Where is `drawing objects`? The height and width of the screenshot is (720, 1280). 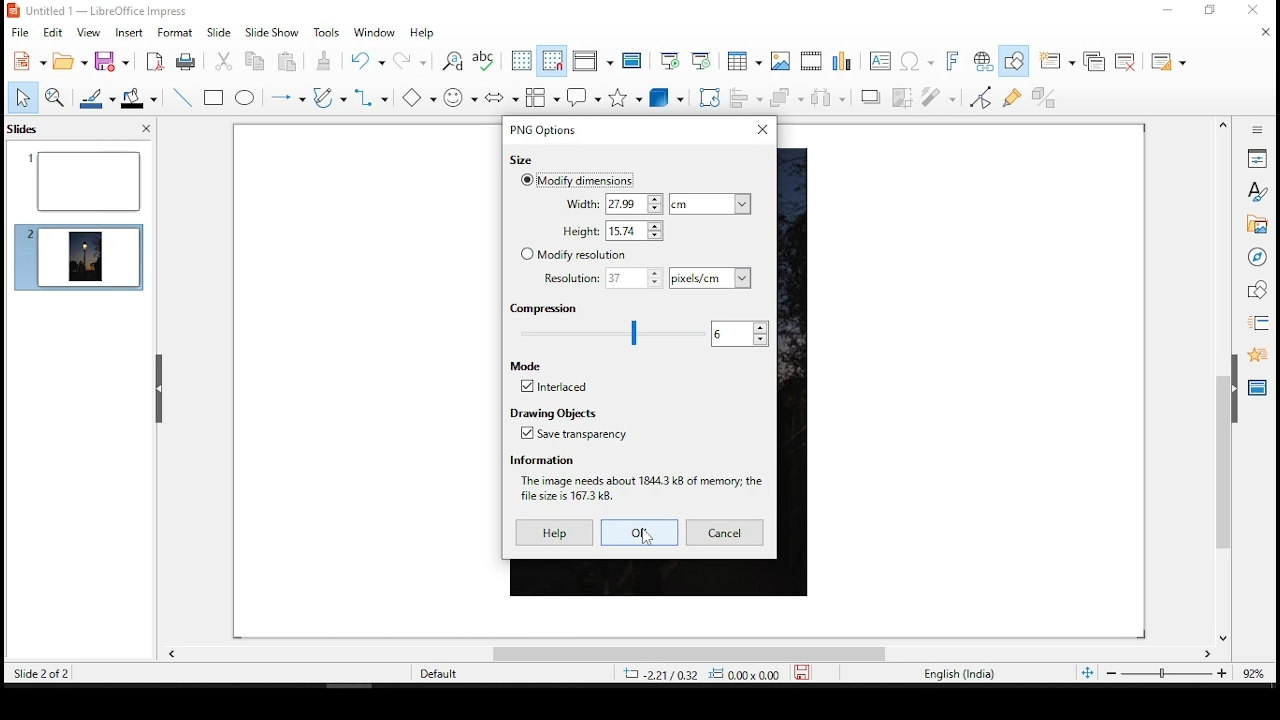
drawing objects is located at coordinates (553, 412).